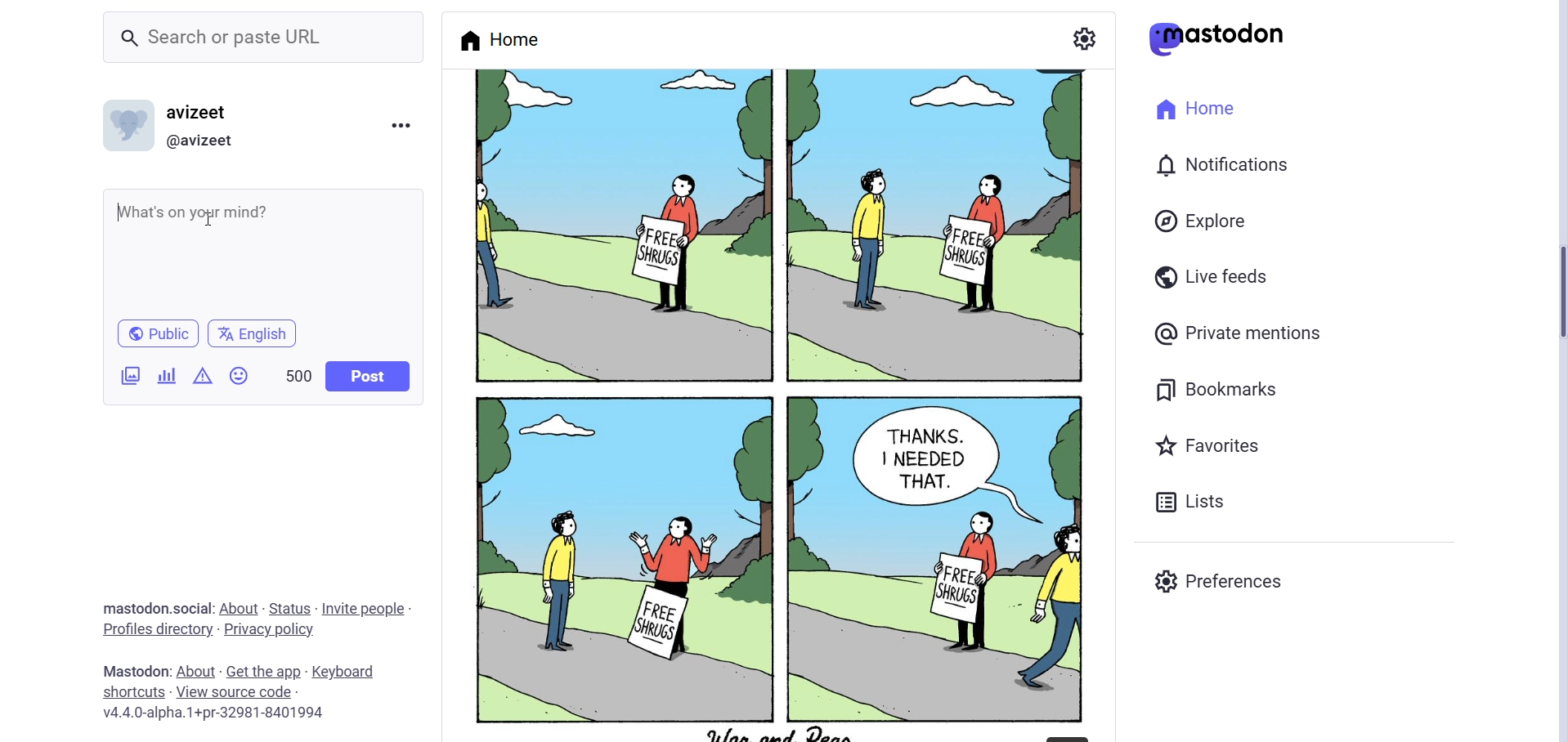  I want to click on Get the app, so click(262, 672).